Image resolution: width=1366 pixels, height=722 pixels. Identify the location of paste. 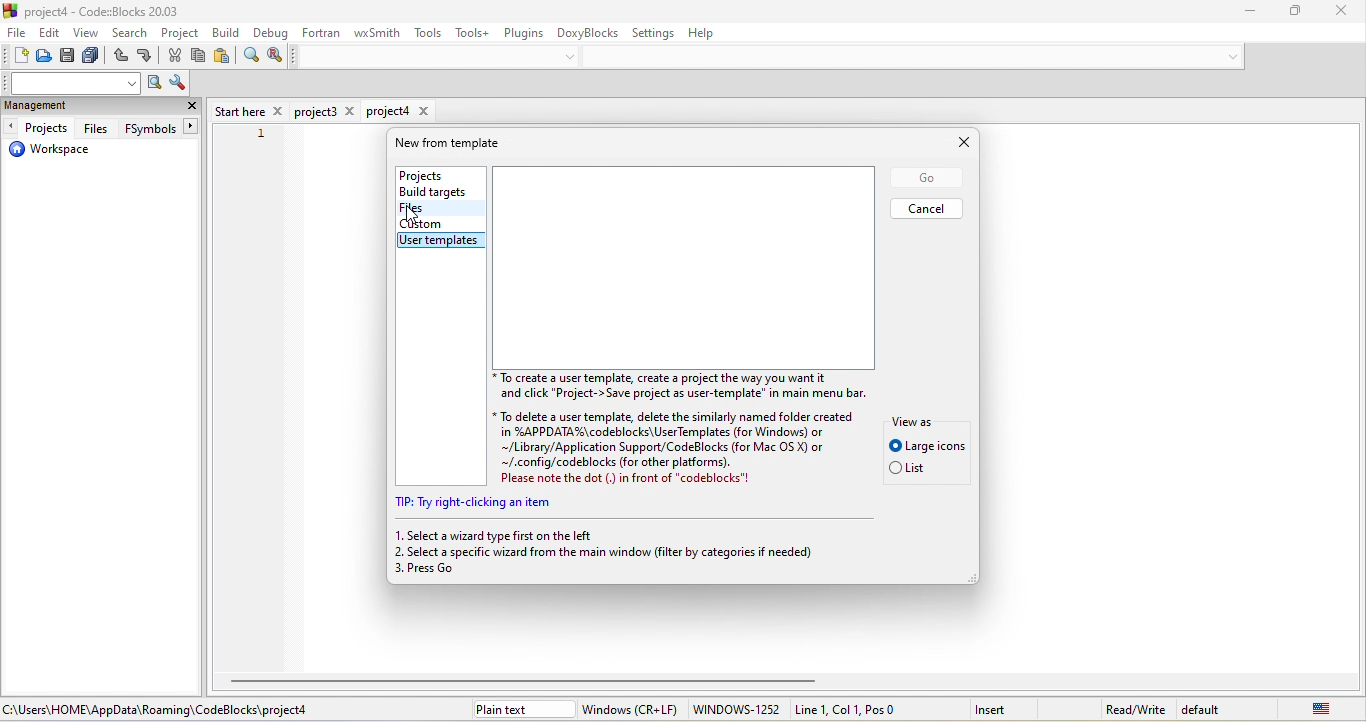
(223, 58).